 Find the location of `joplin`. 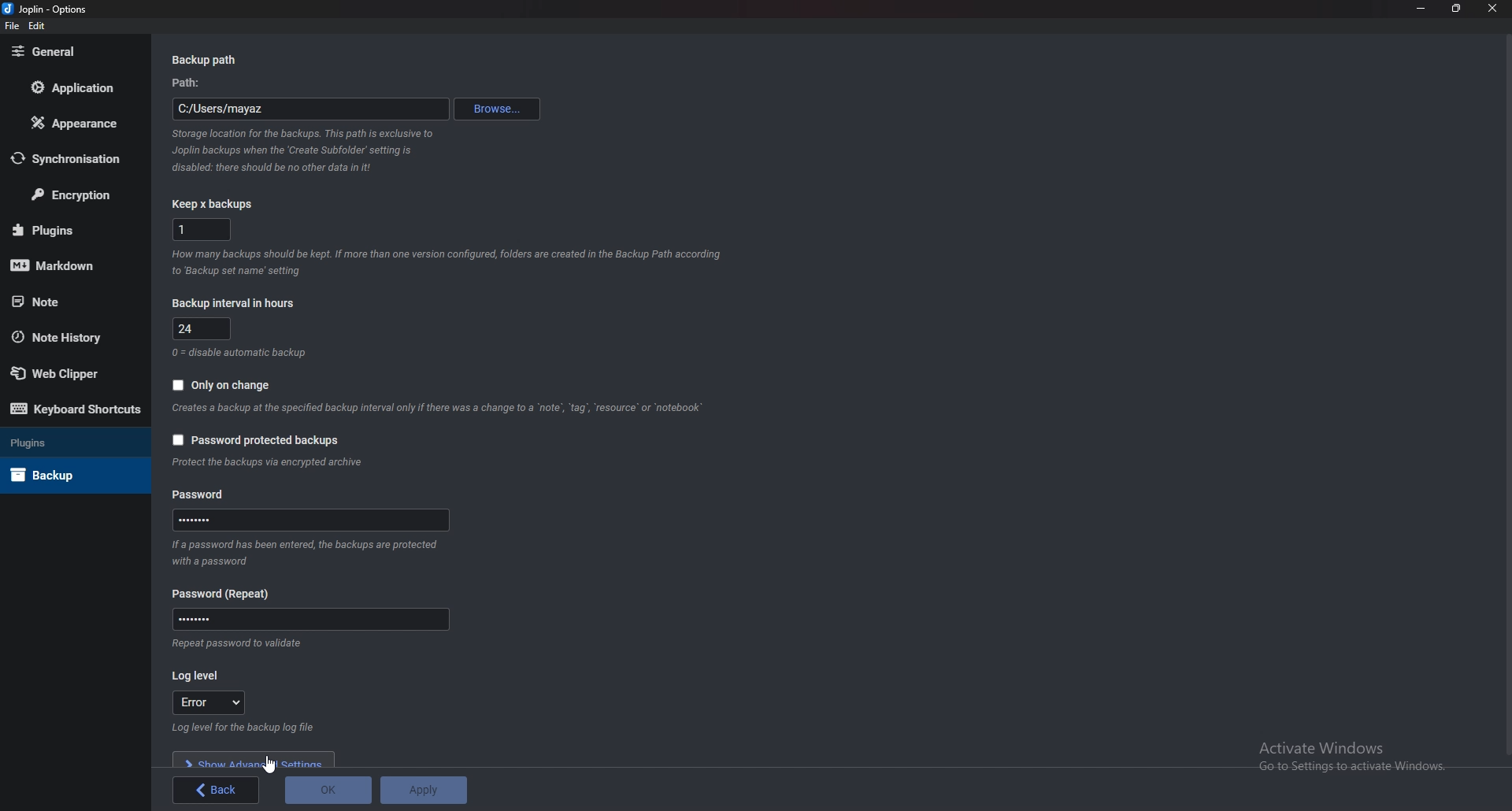

joplin is located at coordinates (46, 9).